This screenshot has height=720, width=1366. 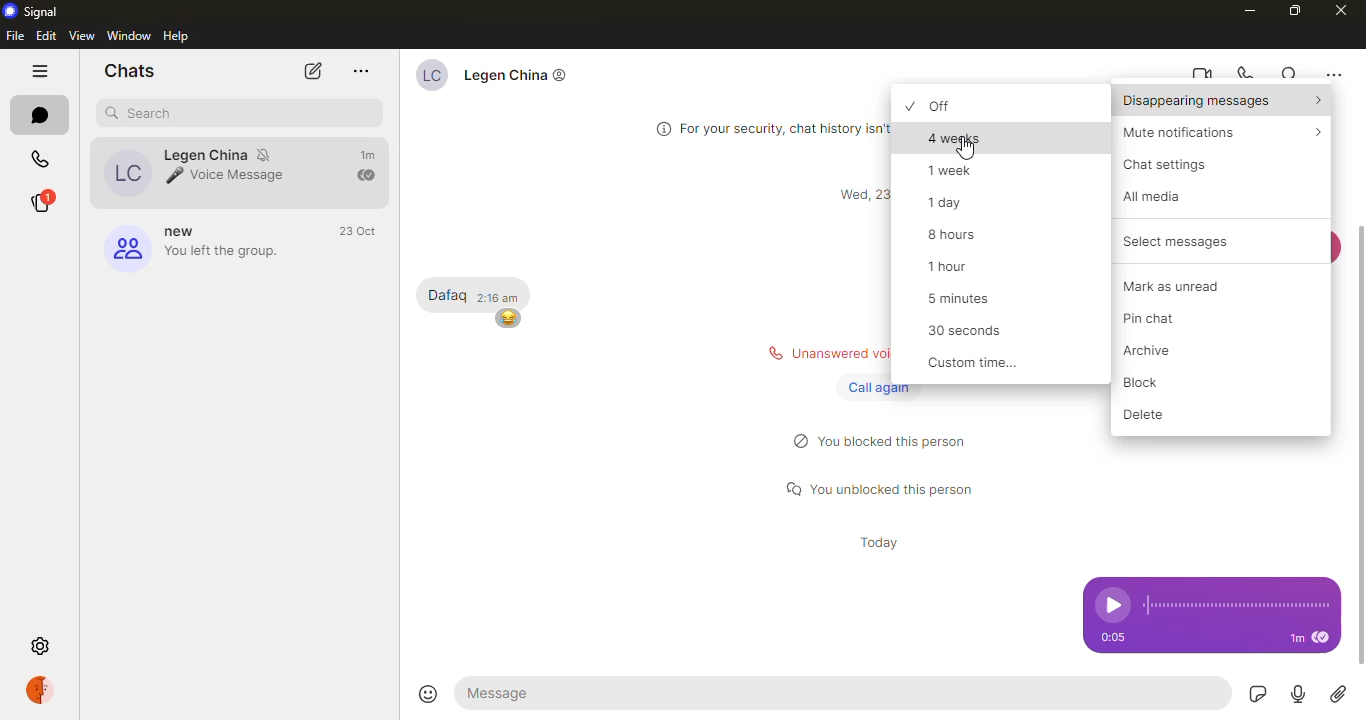 What do you see at coordinates (15, 36) in the screenshot?
I see `file` at bounding box center [15, 36].